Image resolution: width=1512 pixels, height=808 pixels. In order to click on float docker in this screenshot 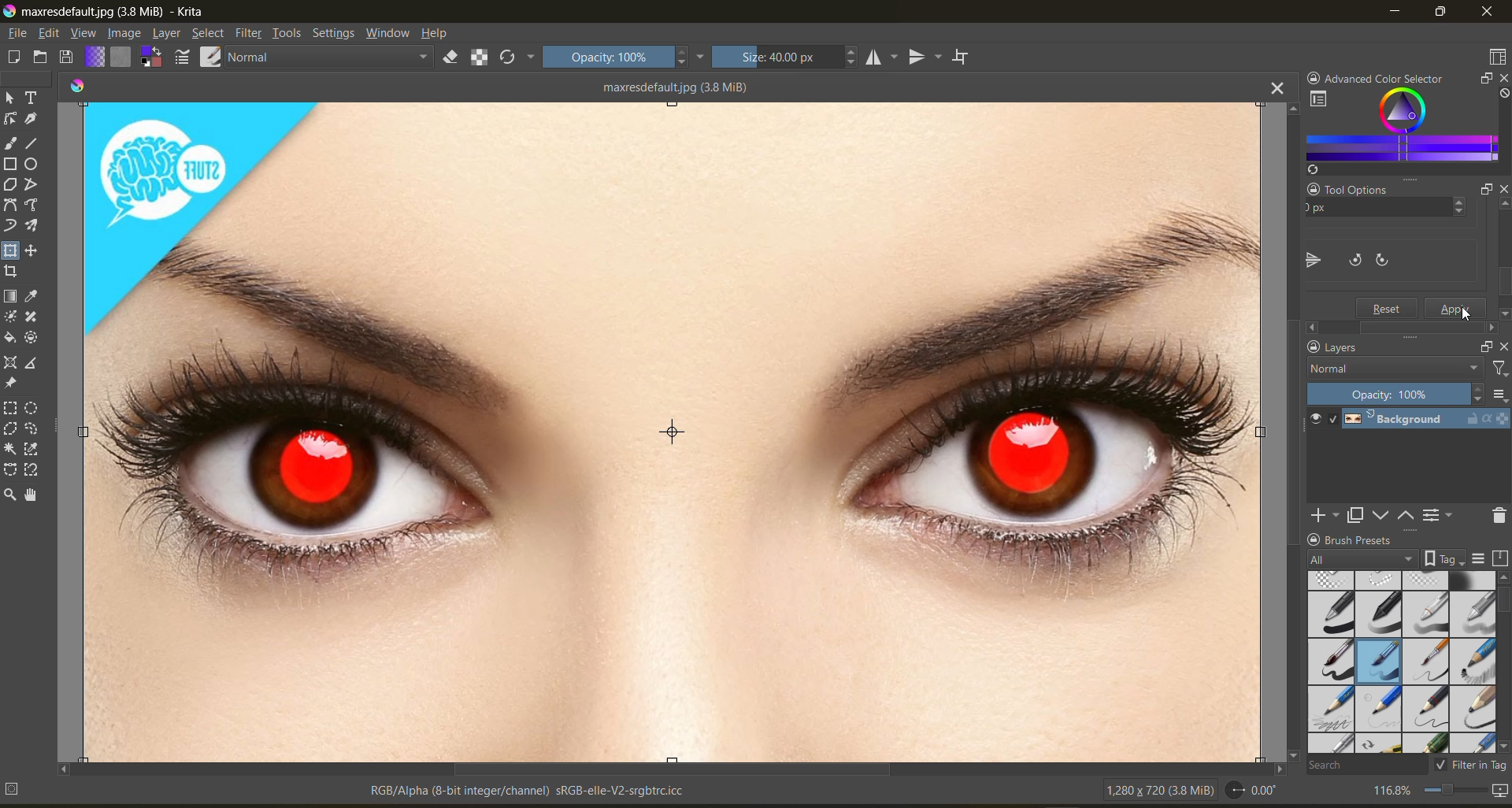, I will do `click(1484, 80)`.